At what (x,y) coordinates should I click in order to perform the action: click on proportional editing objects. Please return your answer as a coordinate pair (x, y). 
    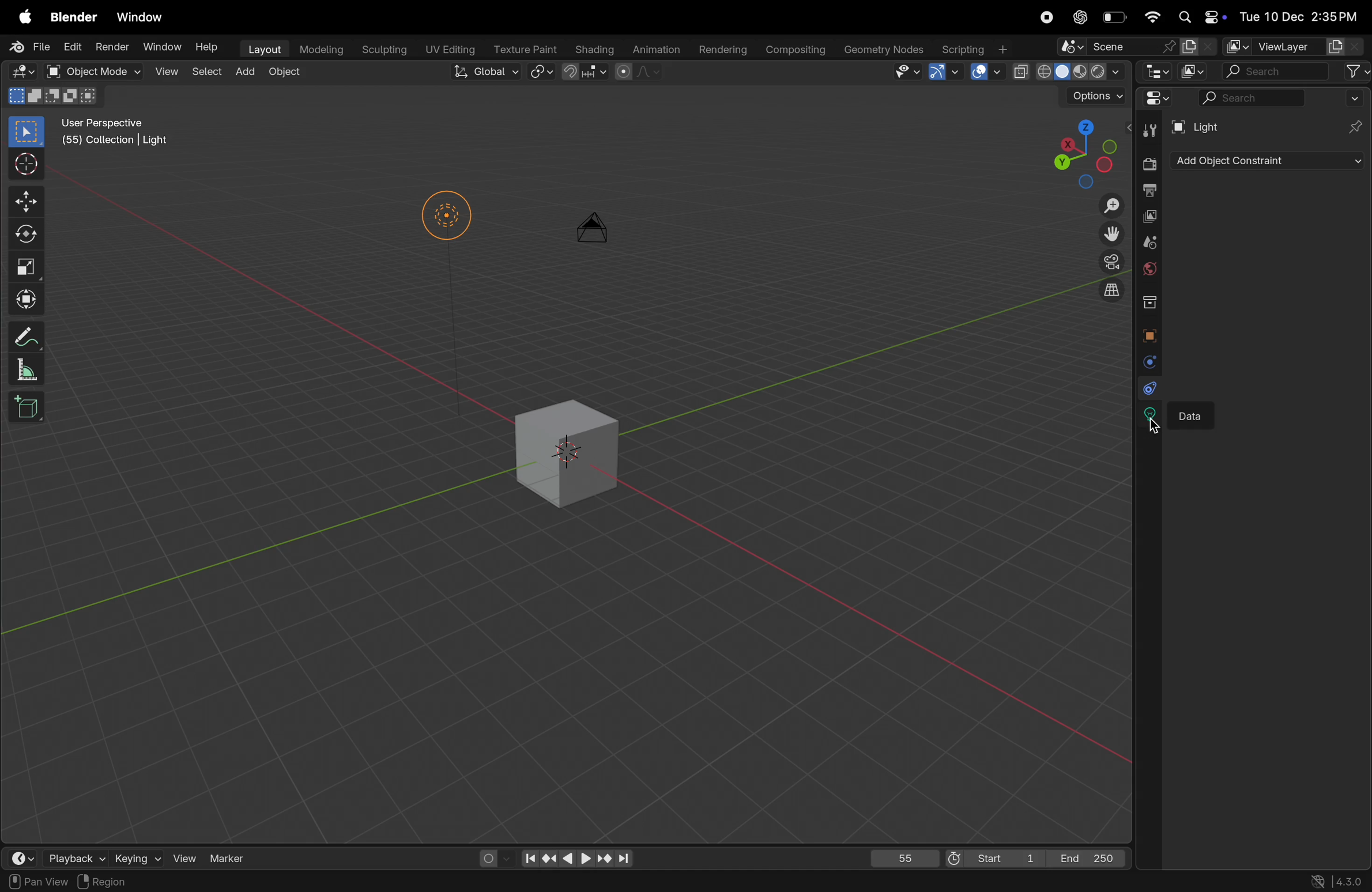
    Looking at the image, I should click on (635, 74).